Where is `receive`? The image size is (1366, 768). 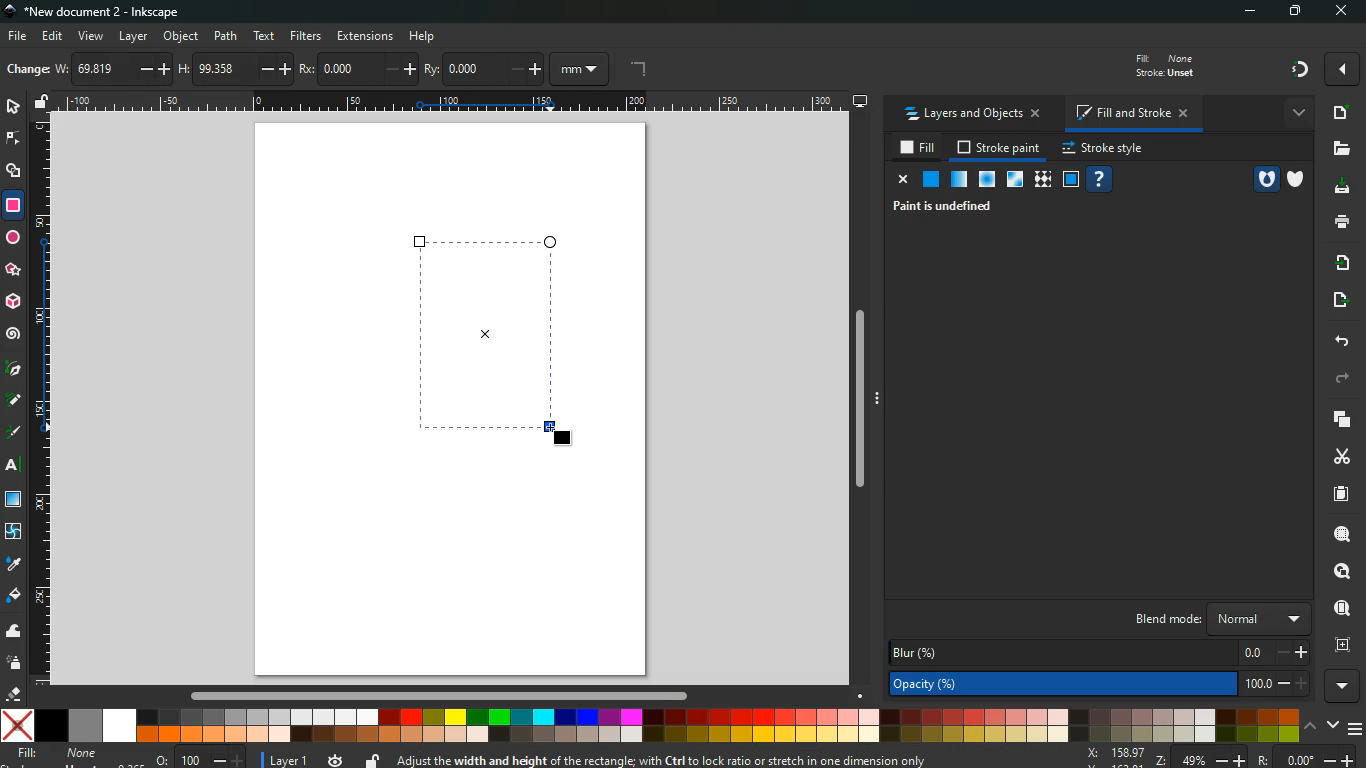 receive is located at coordinates (1345, 264).